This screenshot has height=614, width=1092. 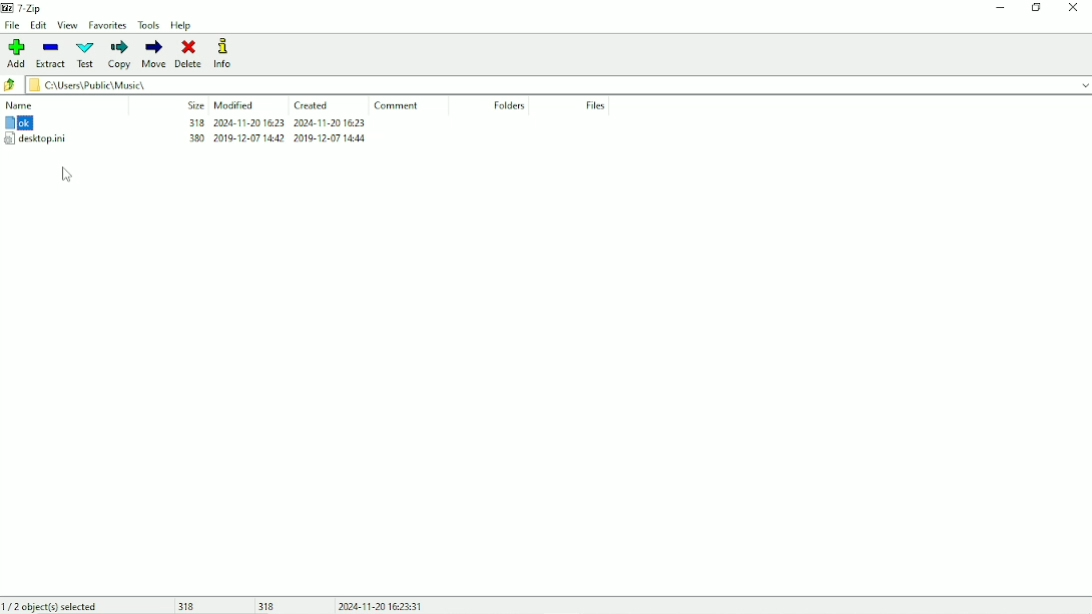 What do you see at coordinates (1037, 7) in the screenshot?
I see `Restore down` at bounding box center [1037, 7].